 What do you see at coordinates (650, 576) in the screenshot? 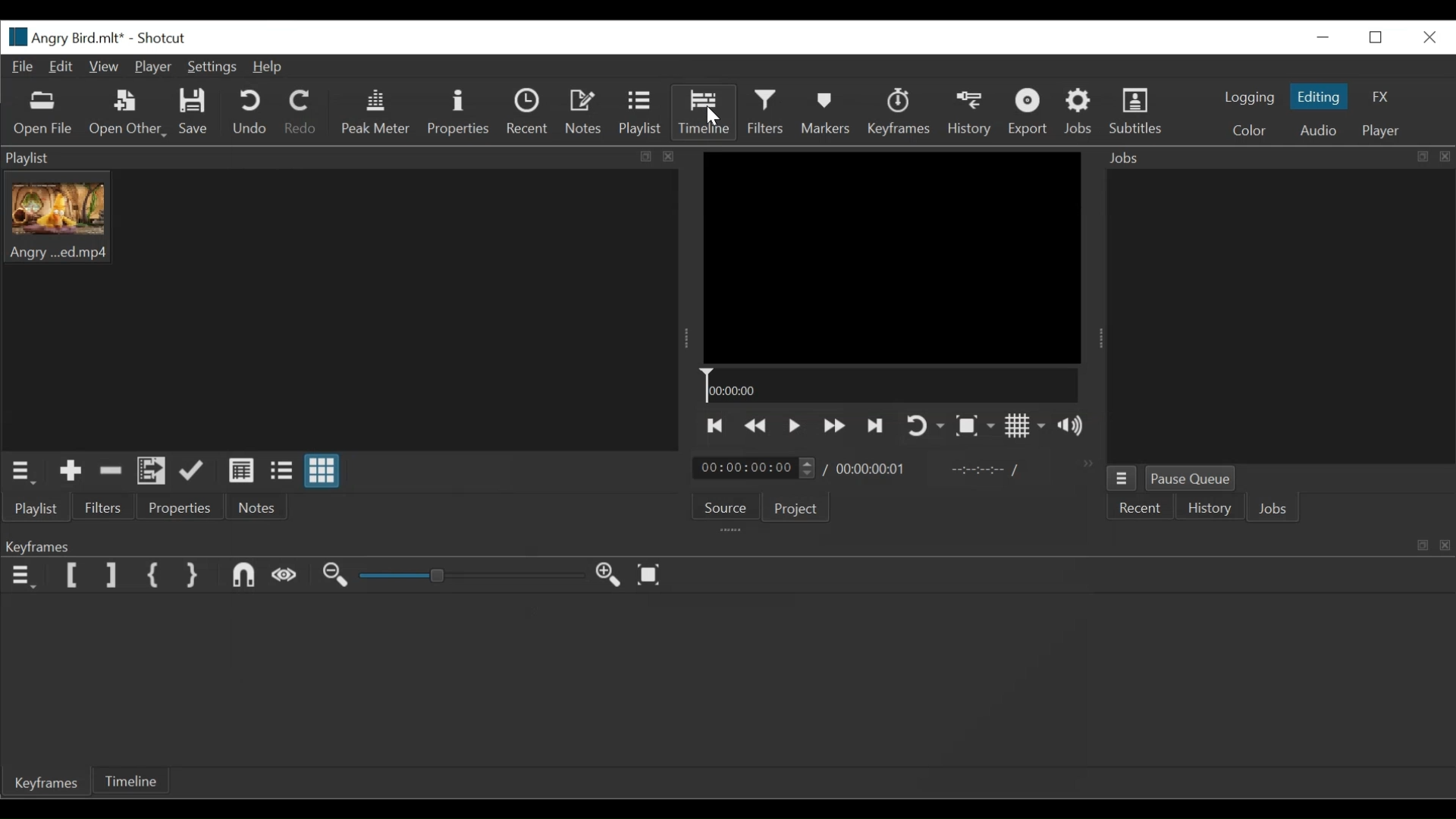
I see `Toggle keyframe to fit` at bounding box center [650, 576].